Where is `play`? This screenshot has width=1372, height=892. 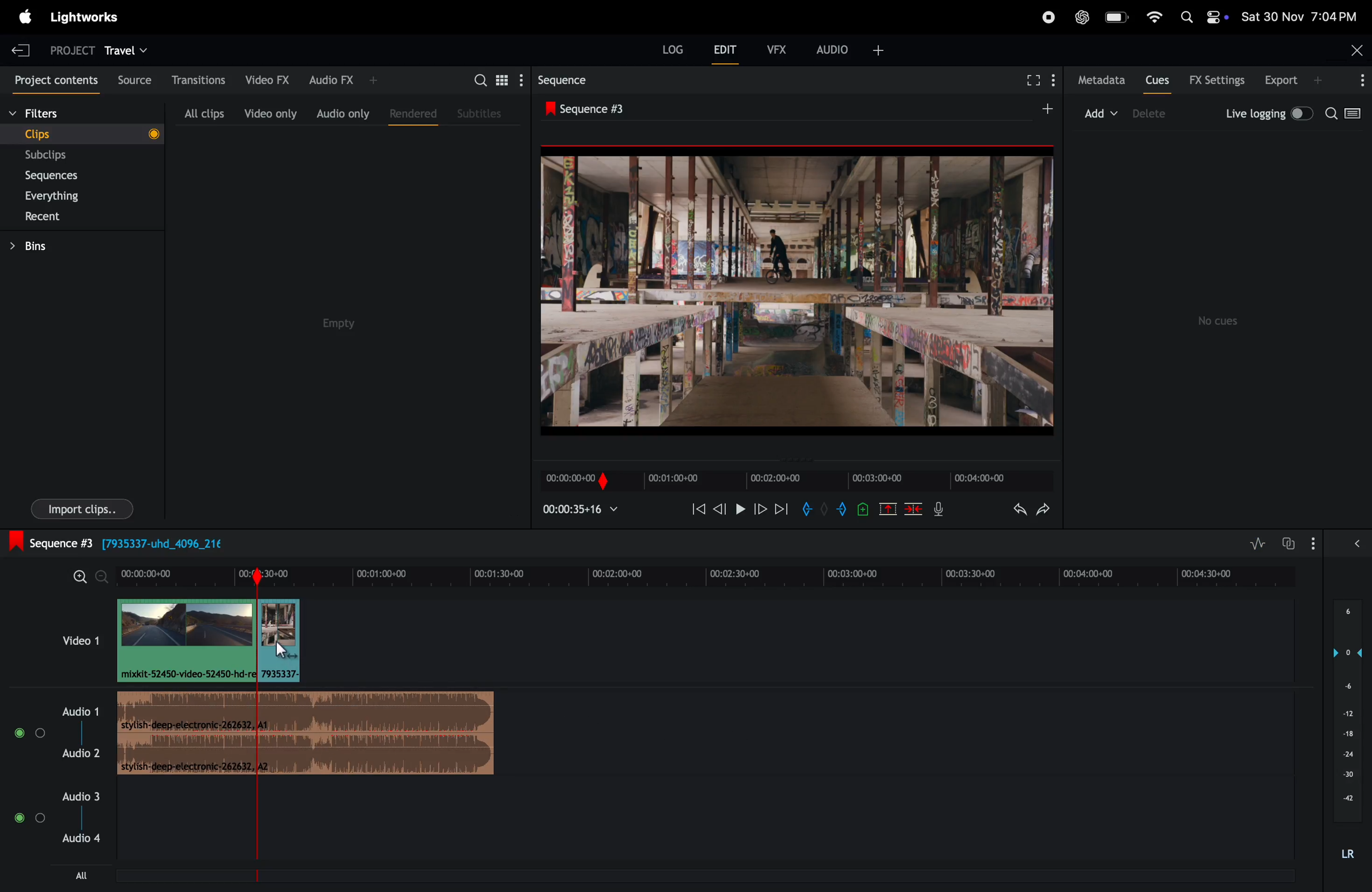
play is located at coordinates (738, 511).